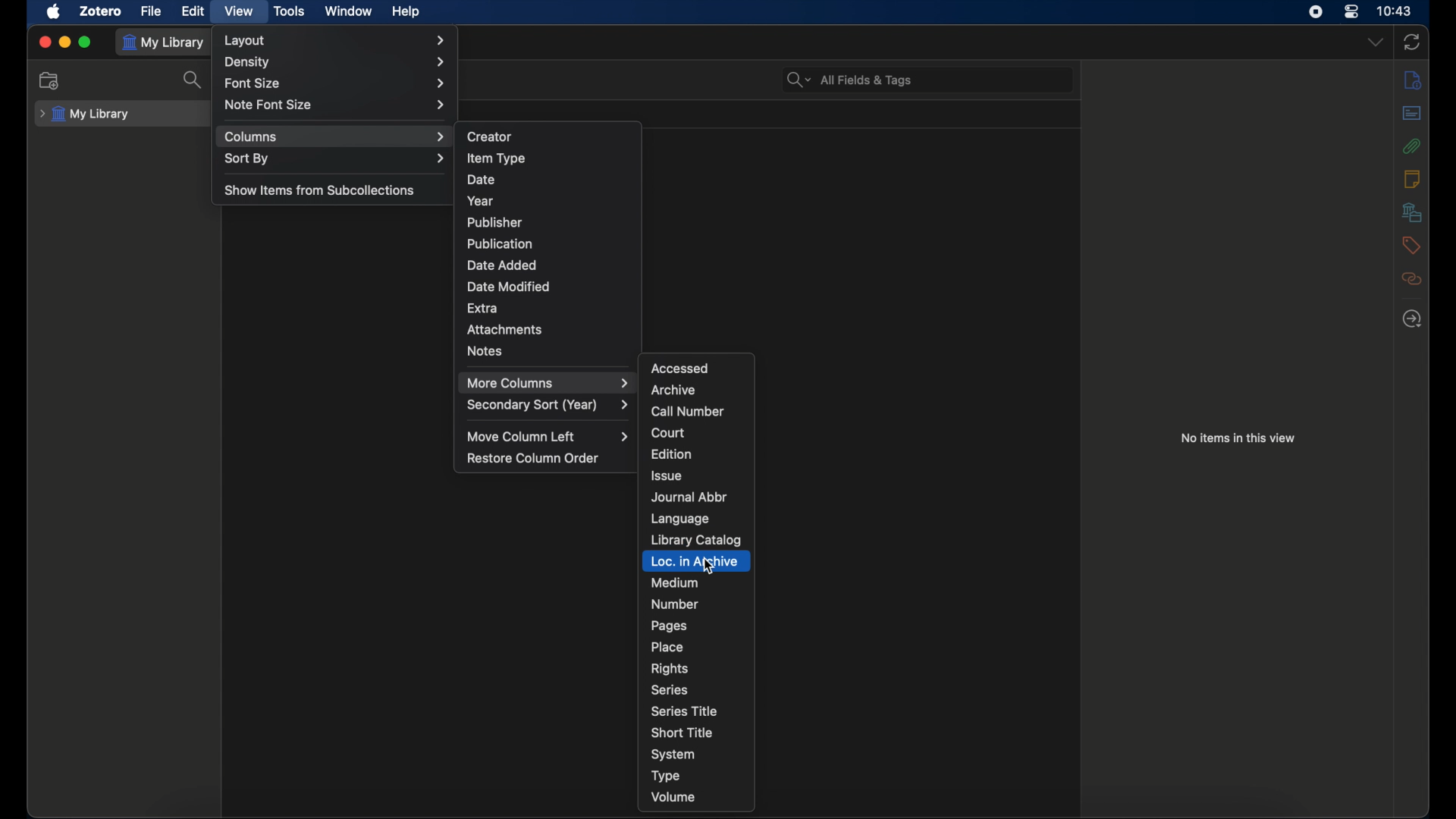  Describe the element at coordinates (164, 42) in the screenshot. I see `my library` at that location.